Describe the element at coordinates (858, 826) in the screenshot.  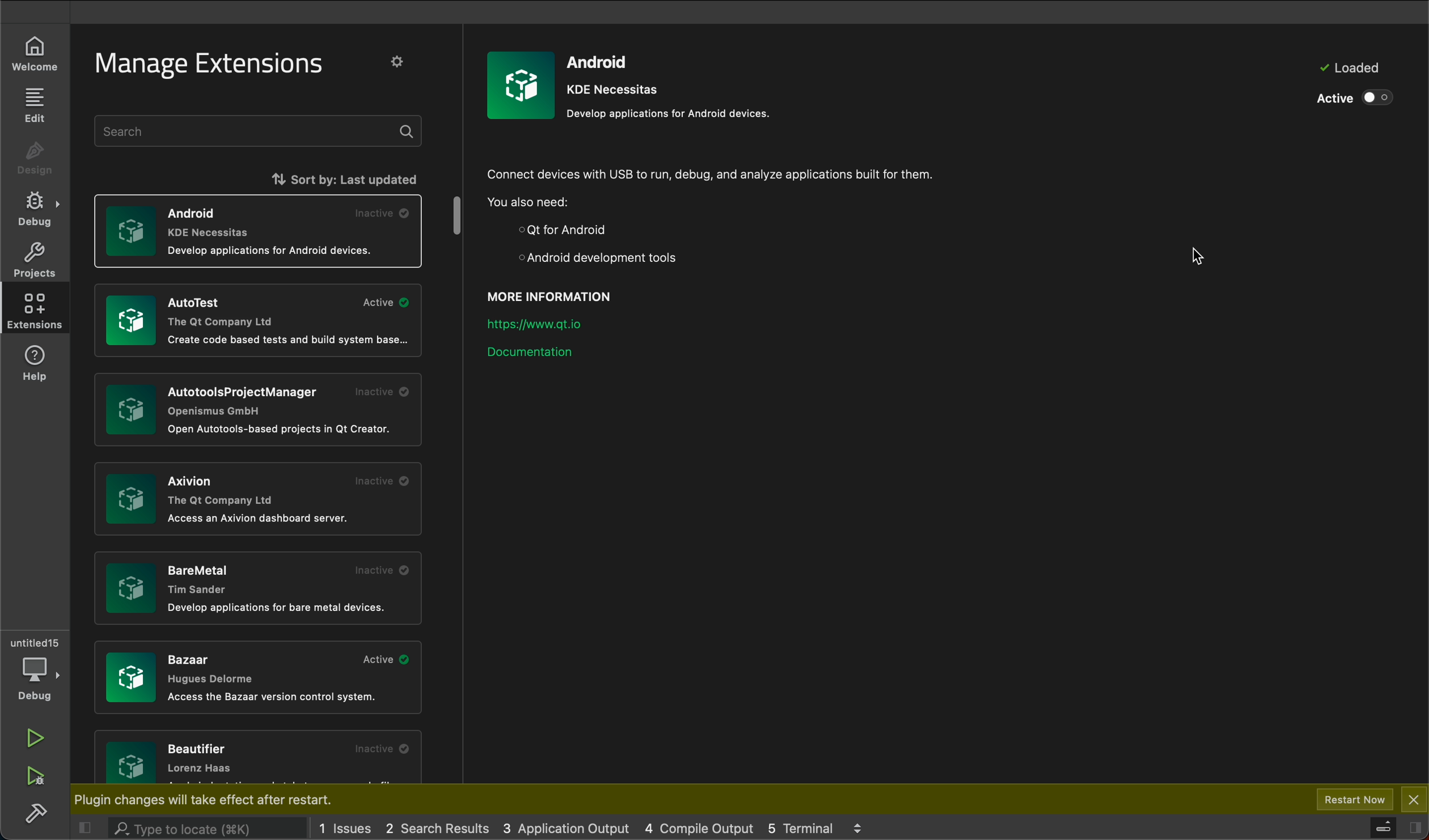
I see `more` at that location.